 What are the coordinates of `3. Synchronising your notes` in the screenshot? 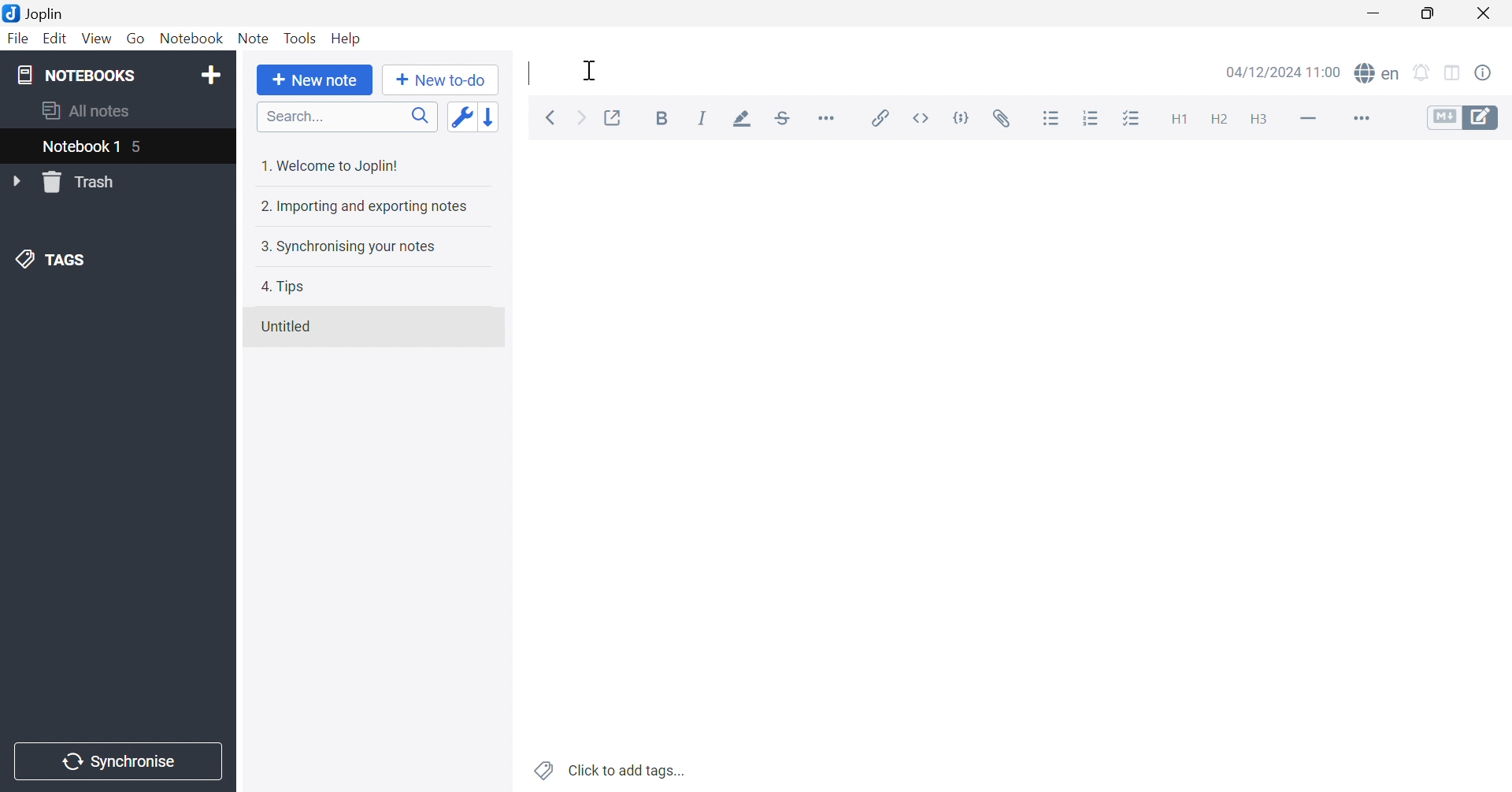 It's located at (350, 247).